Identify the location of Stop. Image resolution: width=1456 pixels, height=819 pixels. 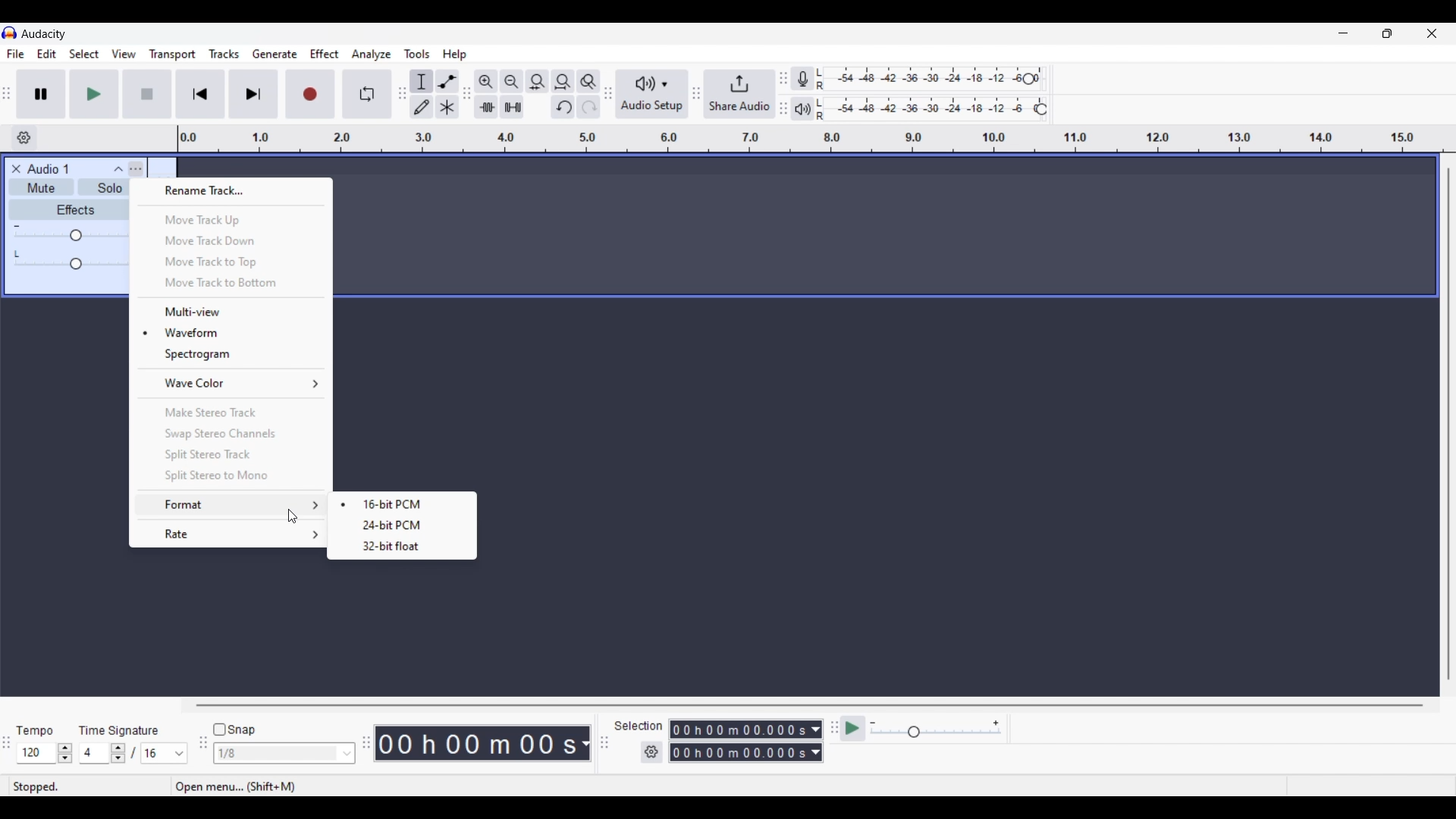
(148, 94).